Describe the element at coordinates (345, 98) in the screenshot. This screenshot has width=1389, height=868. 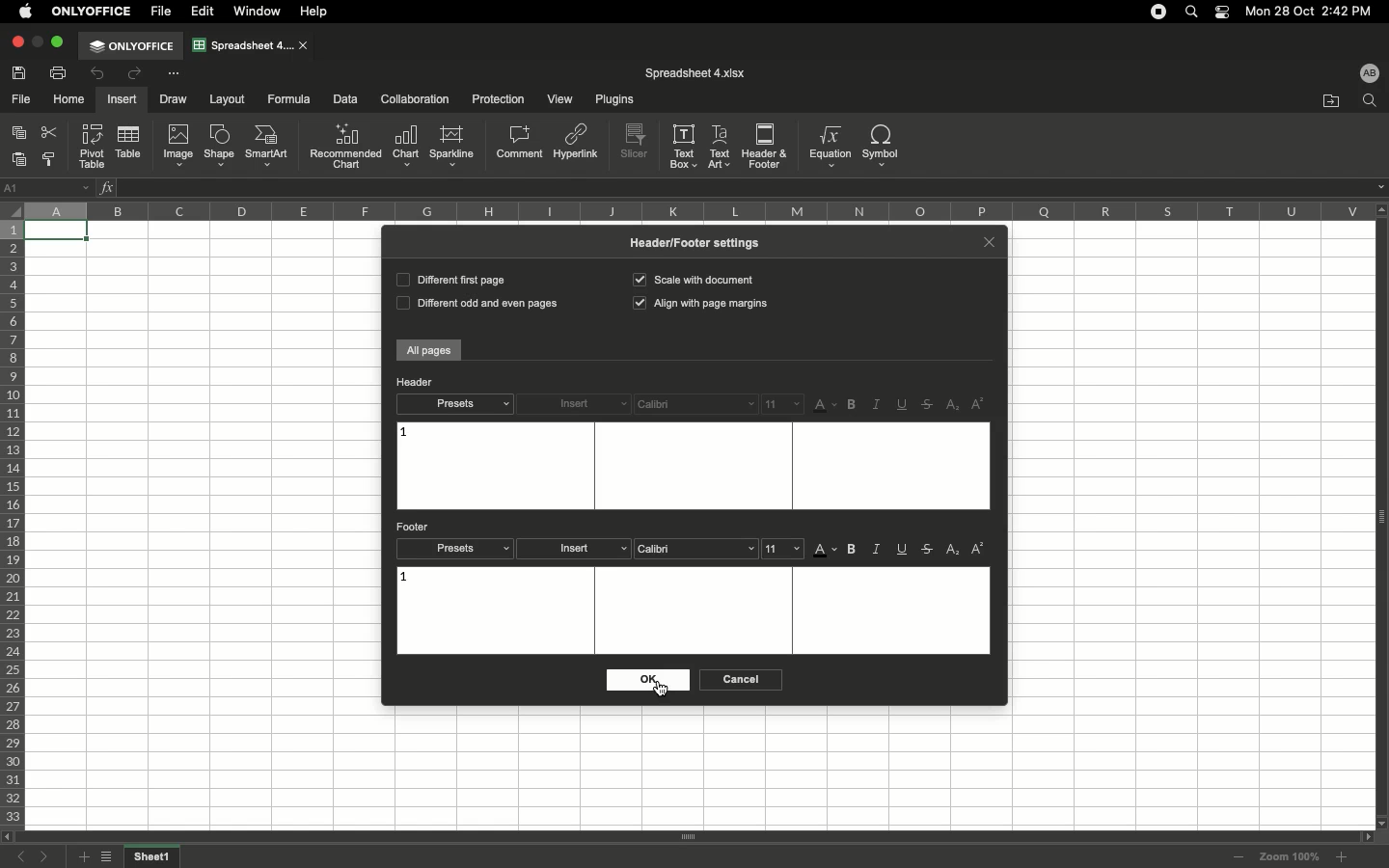
I see `Data` at that location.